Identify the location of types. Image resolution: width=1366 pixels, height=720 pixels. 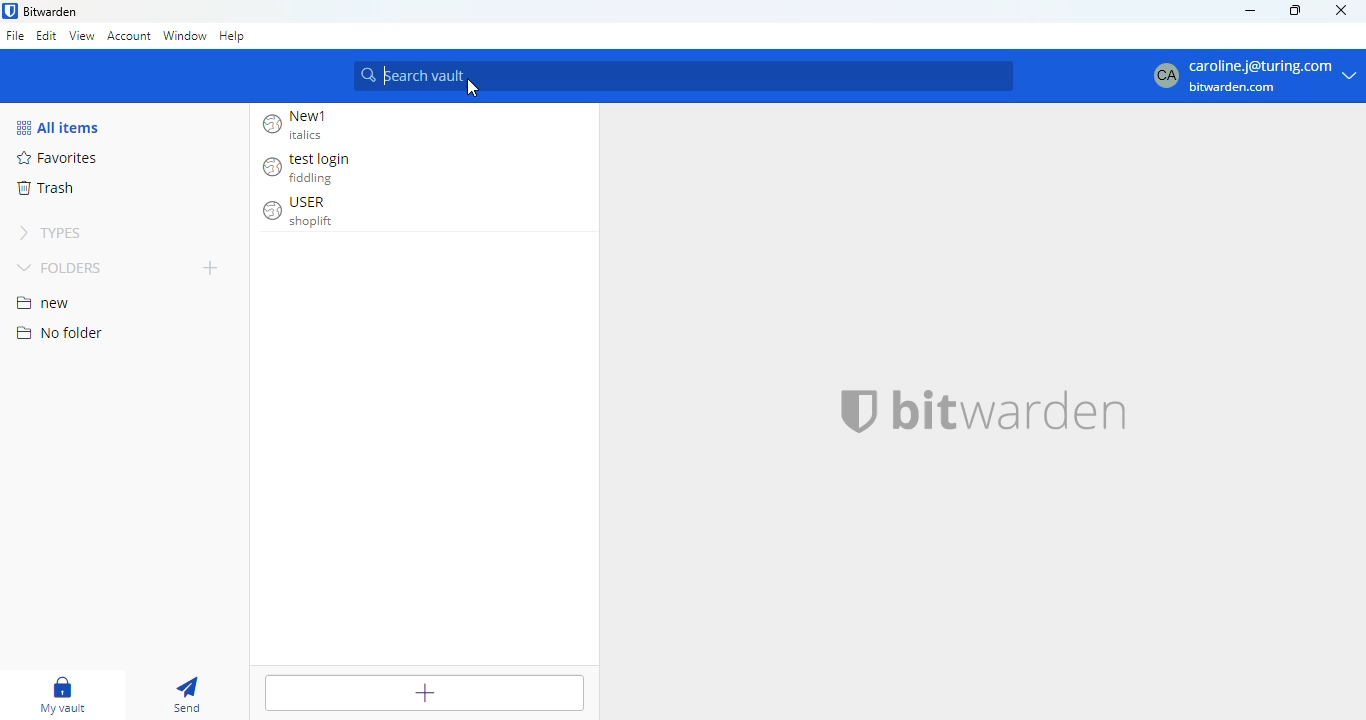
(54, 233).